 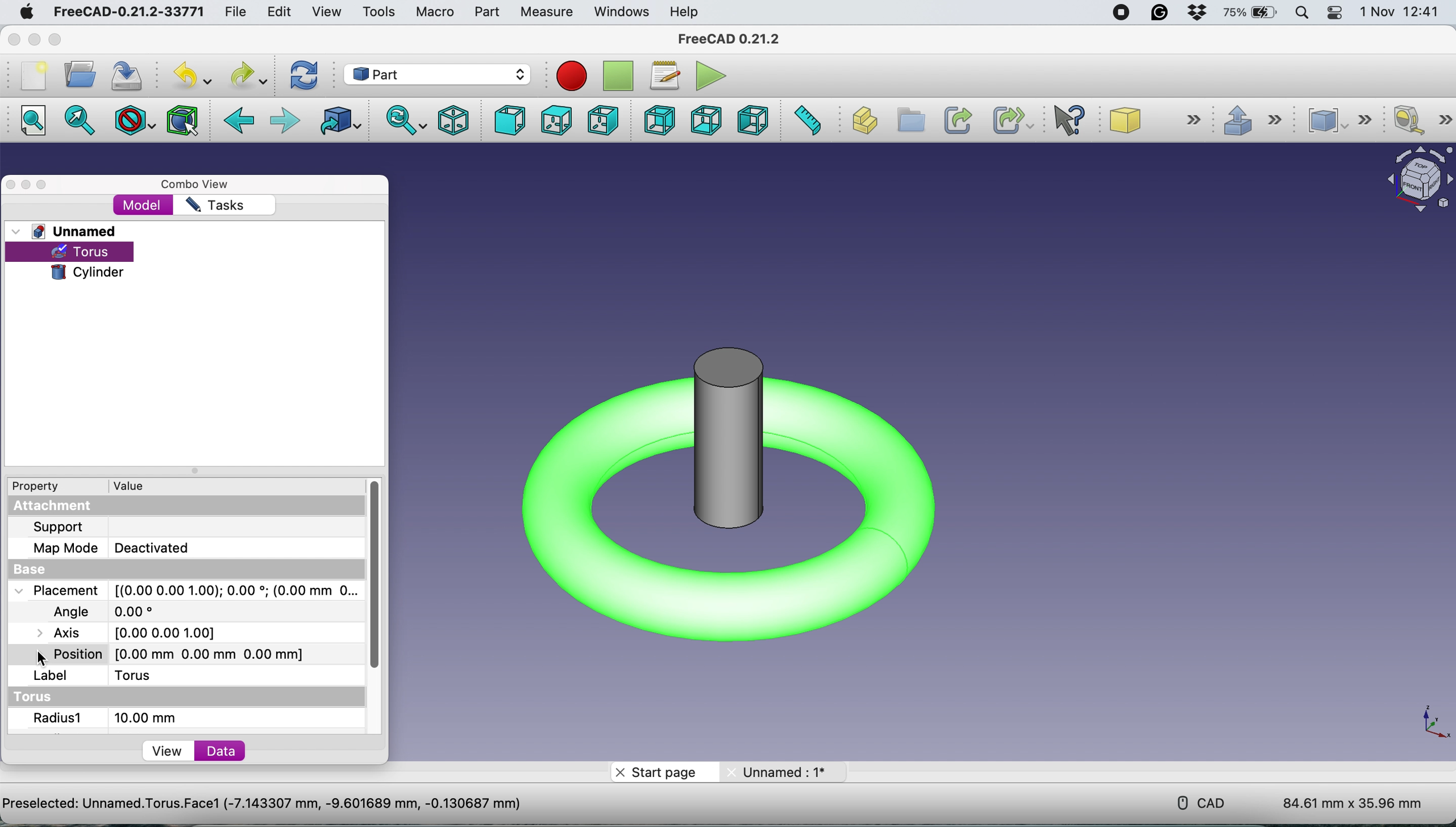 I want to click on radius, so click(x=110, y=718).